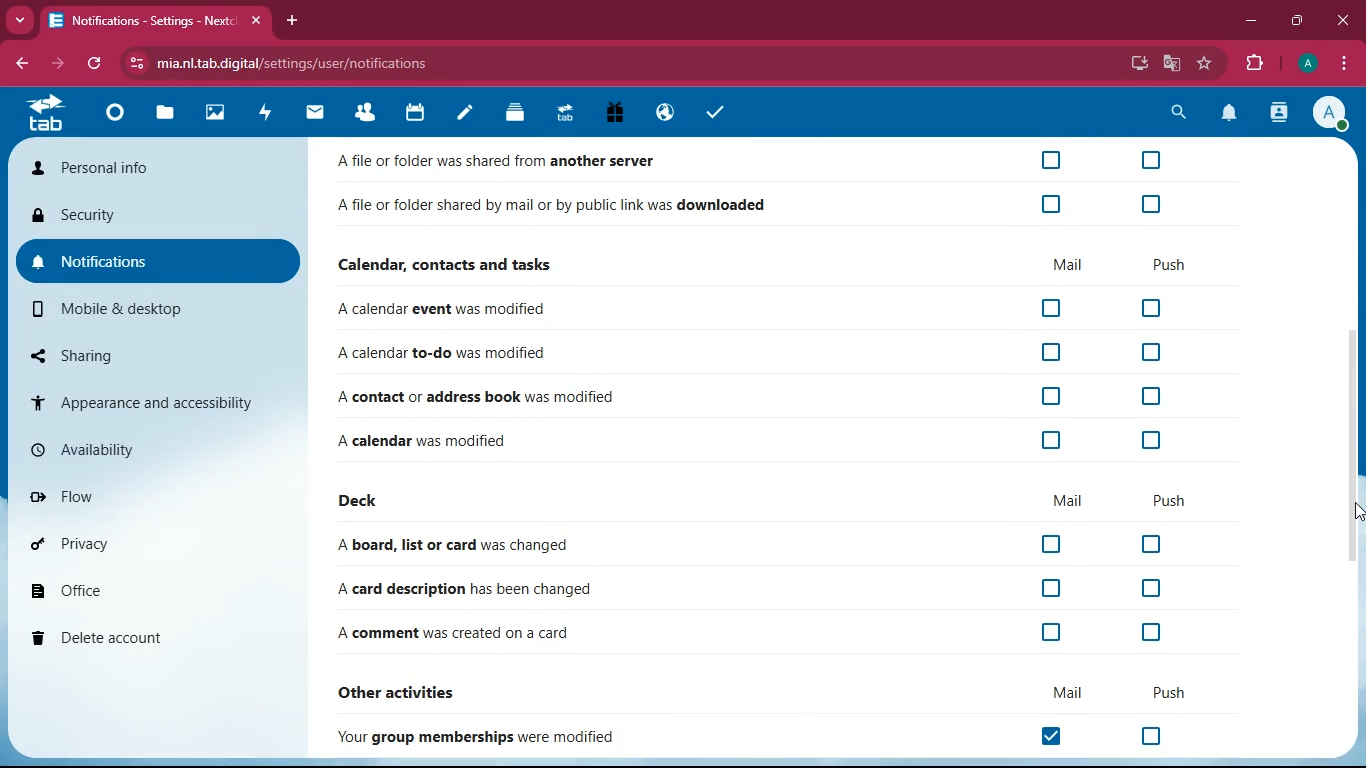 The image size is (1366, 768). What do you see at coordinates (475, 396) in the screenshot?
I see `A contact or address book was modified` at bounding box center [475, 396].